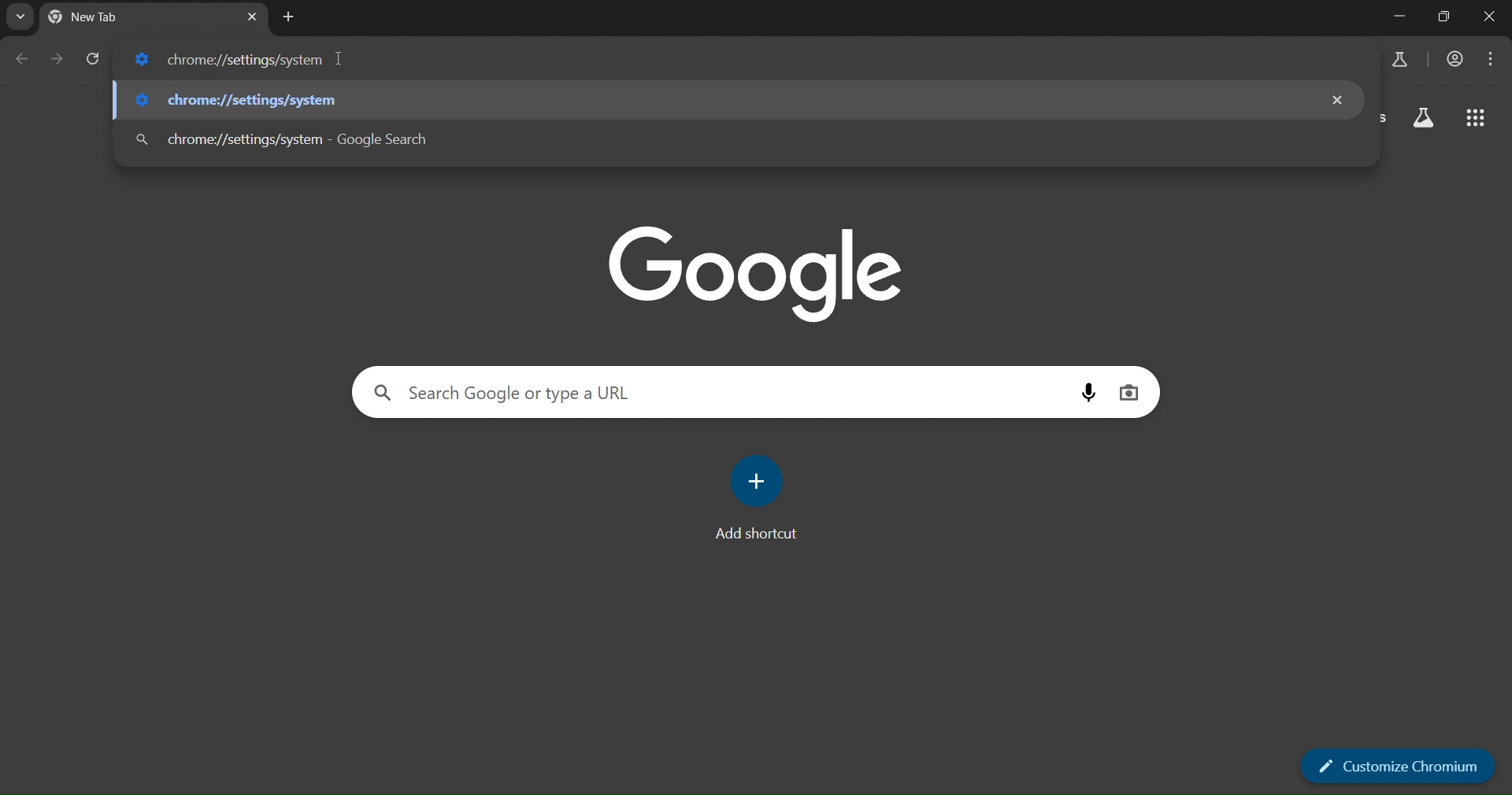 The image size is (1512, 795). Describe the element at coordinates (1457, 59) in the screenshot. I see `accounts` at that location.